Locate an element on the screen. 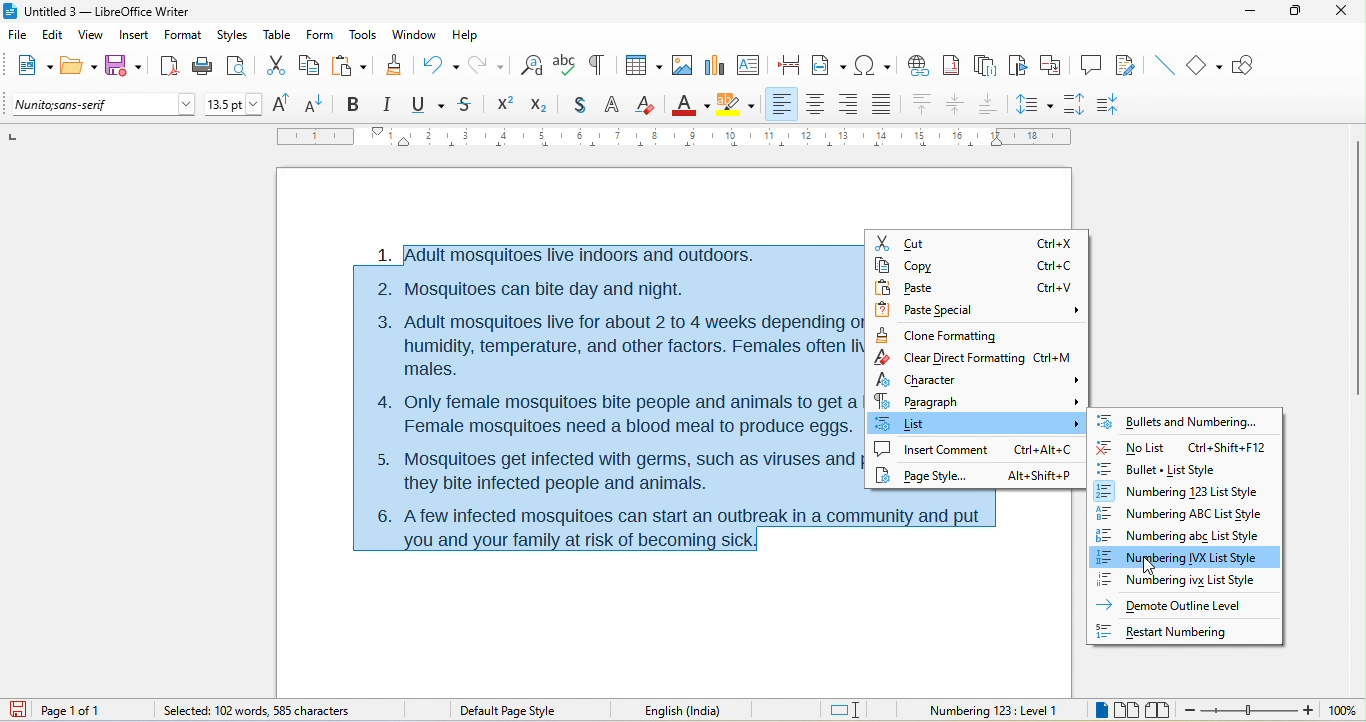 The image size is (1366, 722). character highlighting is located at coordinates (740, 104).